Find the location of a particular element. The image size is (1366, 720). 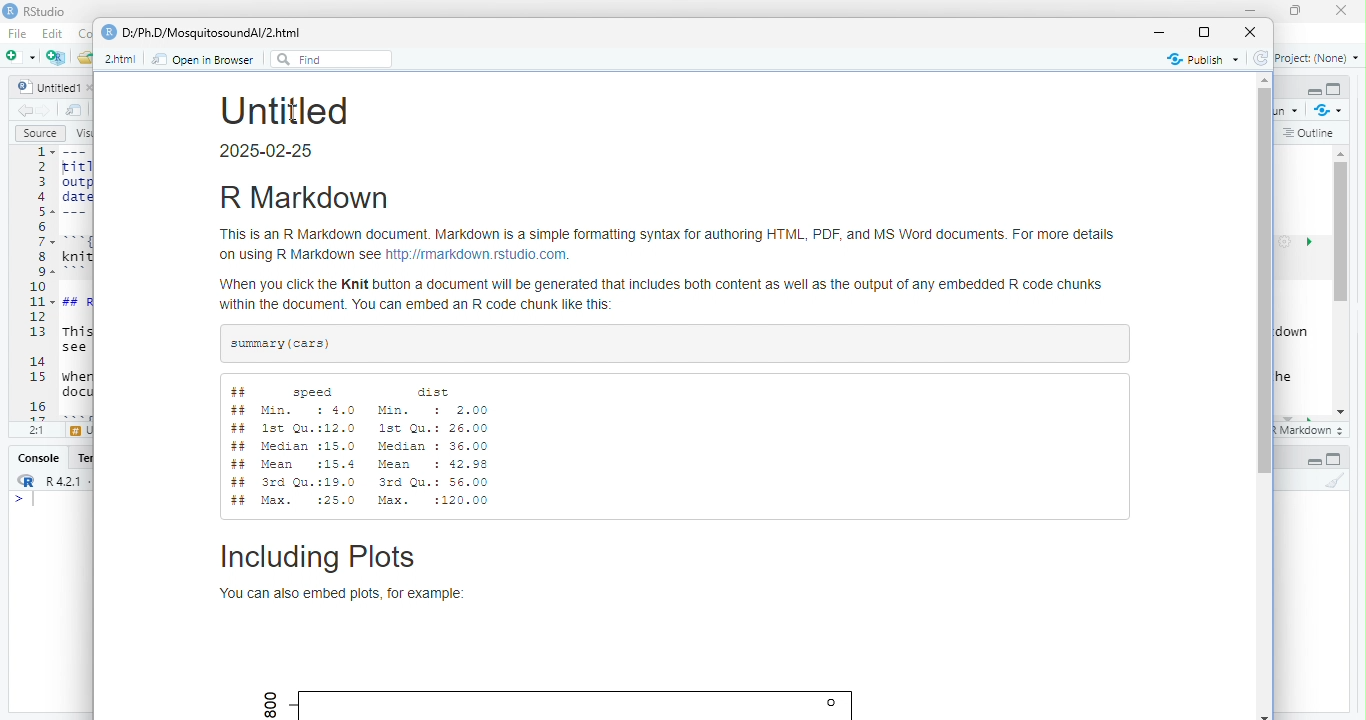

minimise is located at coordinates (1161, 33).